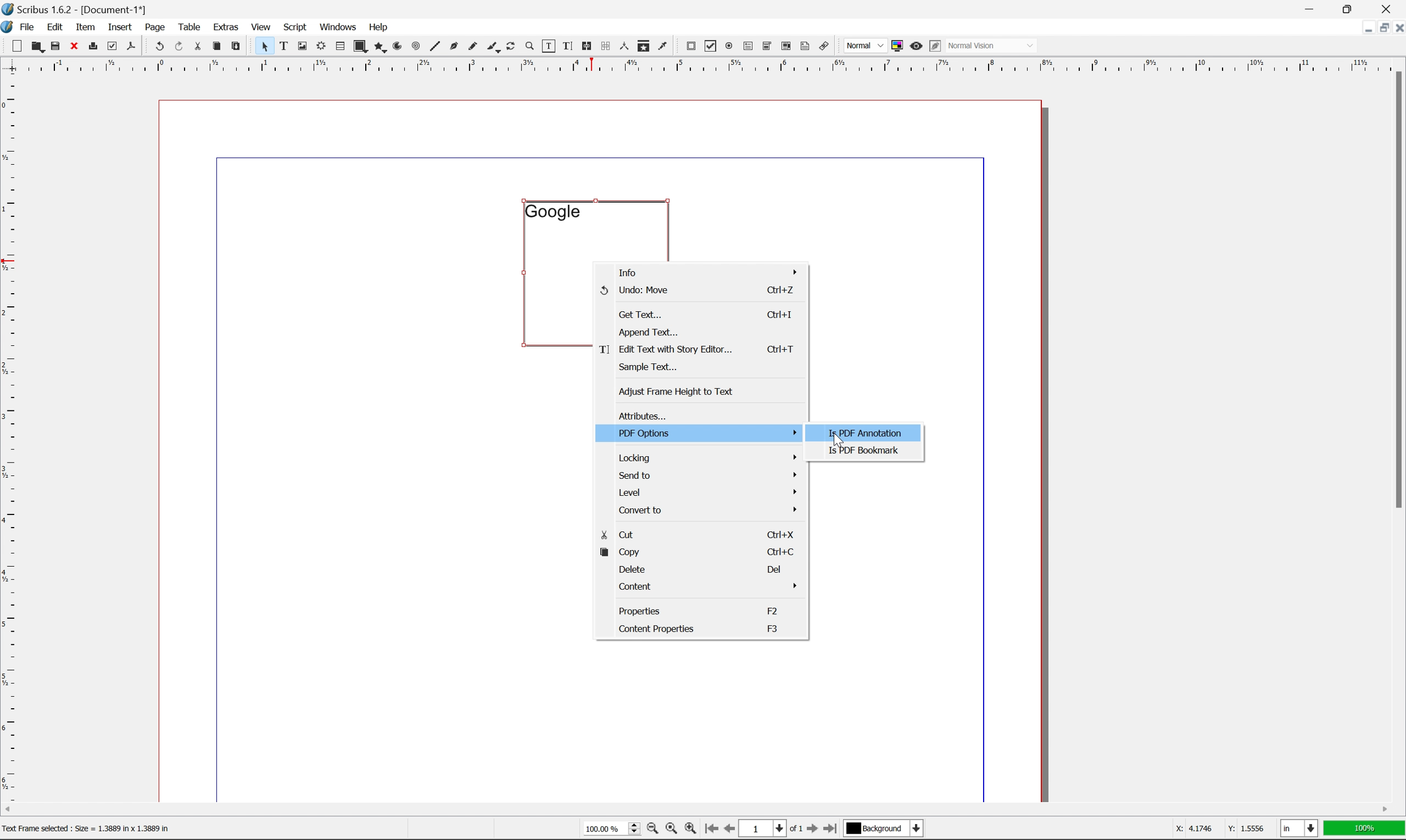  What do you see at coordinates (773, 628) in the screenshot?
I see `F3` at bounding box center [773, 628].